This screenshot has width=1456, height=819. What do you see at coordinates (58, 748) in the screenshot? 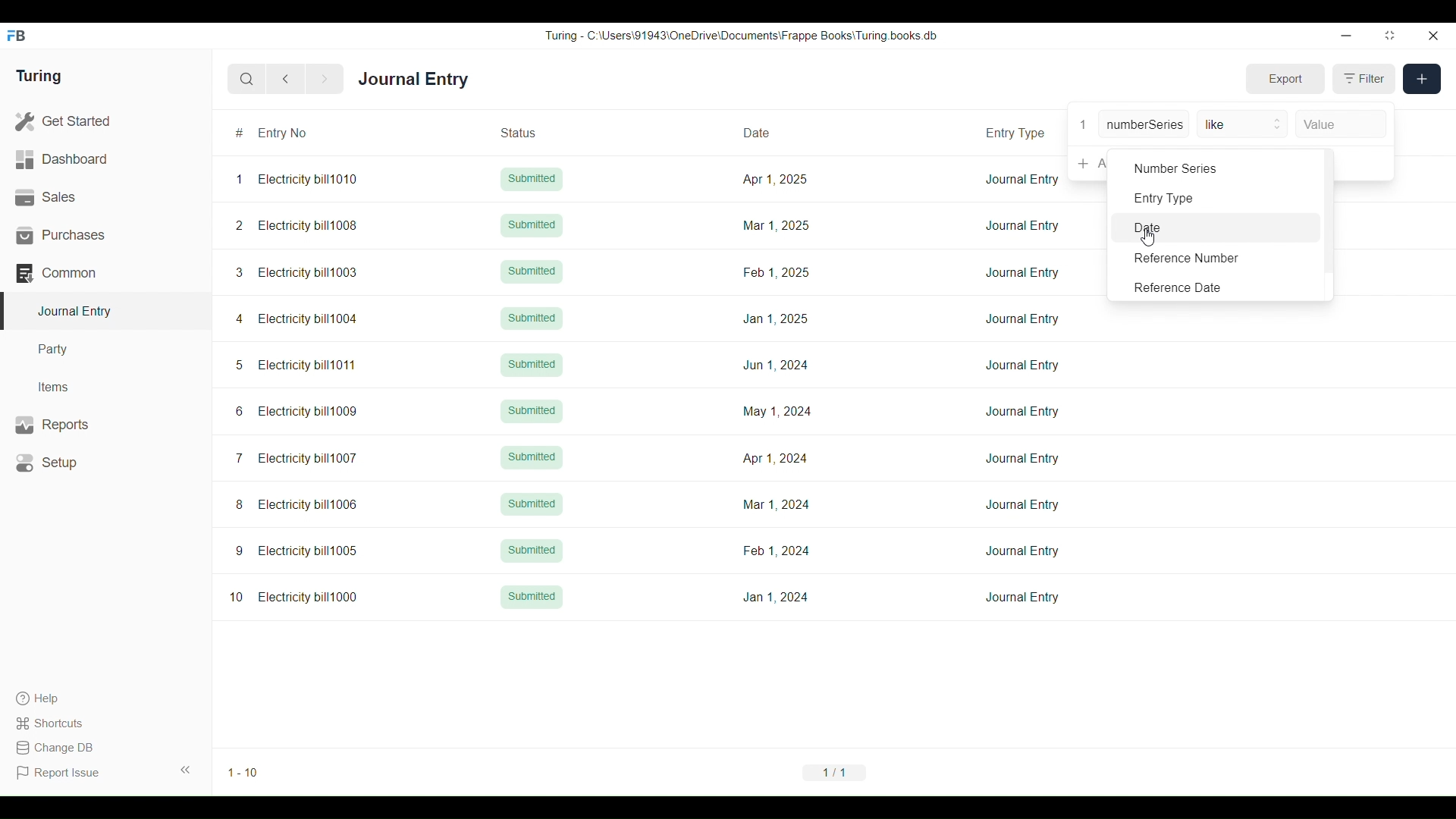
I see `Change DB` at bounding box center [58, 748].